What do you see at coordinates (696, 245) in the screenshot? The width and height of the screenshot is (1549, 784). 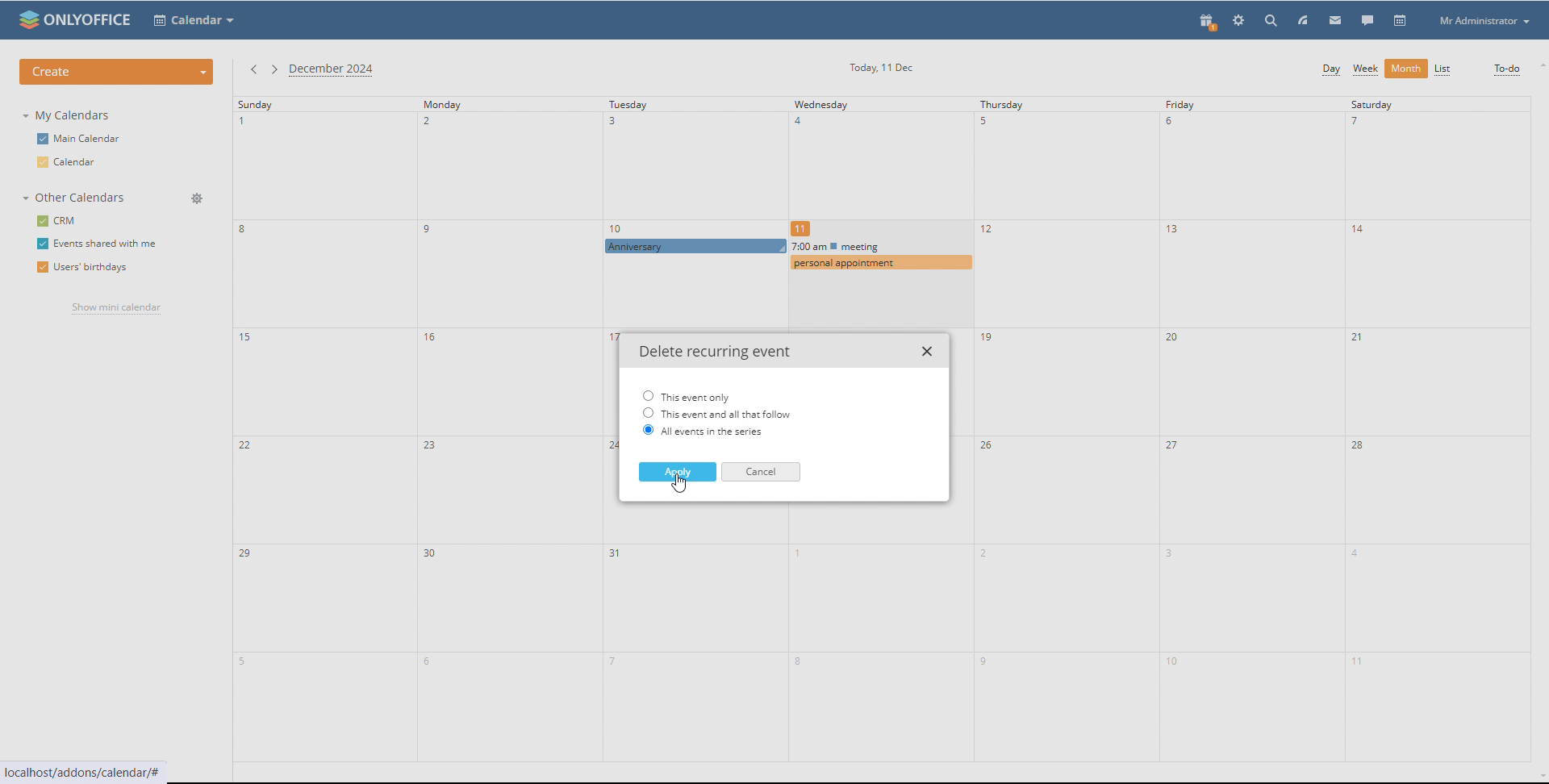 I see `recurring event` at bounding box center [696, 245].